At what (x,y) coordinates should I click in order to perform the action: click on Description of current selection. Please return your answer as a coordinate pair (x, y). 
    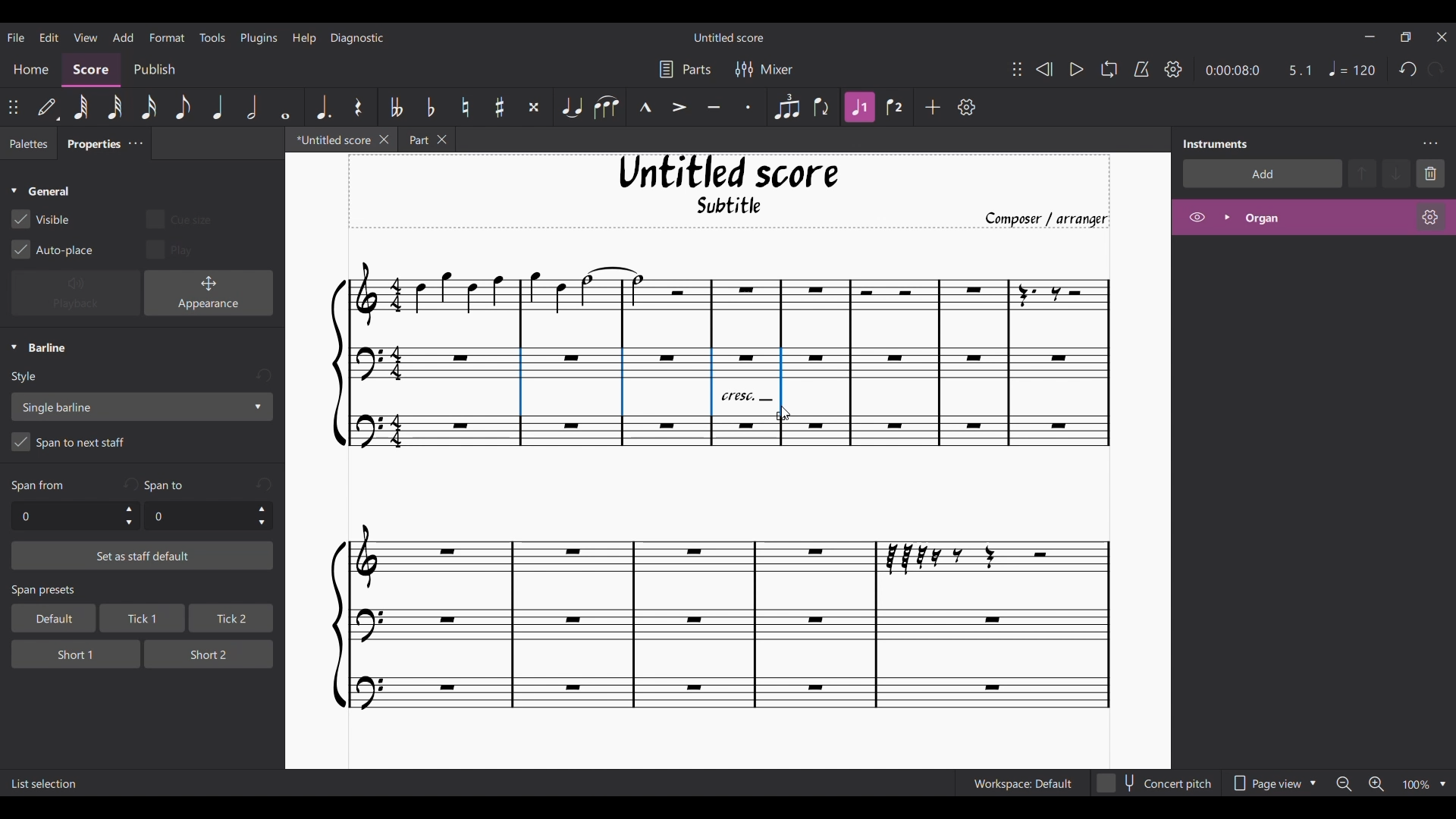
    Looking at the image, I should click on (45, 784).